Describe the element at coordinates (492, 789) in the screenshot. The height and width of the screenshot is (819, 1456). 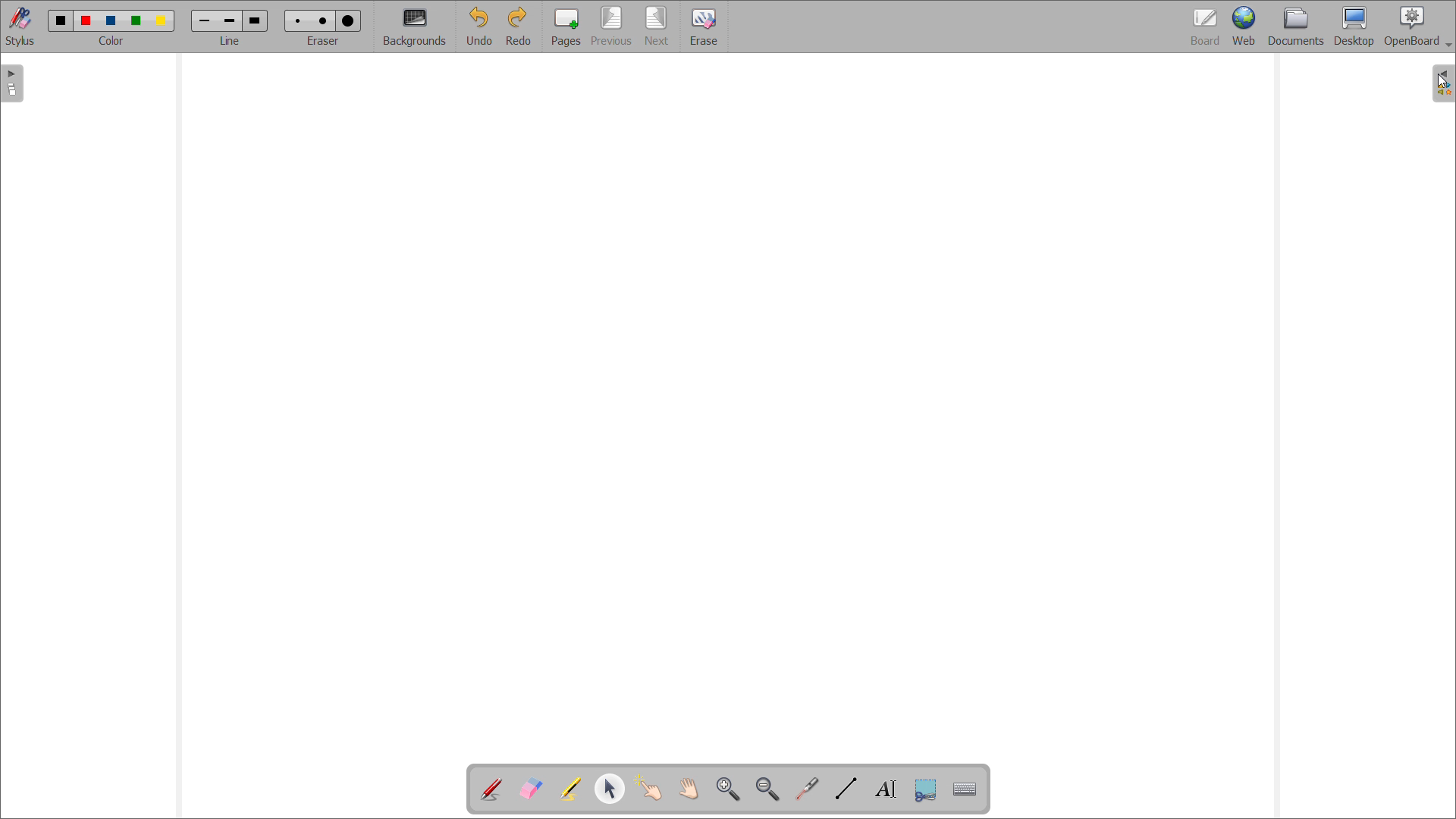
I see `add annotation` at that location.